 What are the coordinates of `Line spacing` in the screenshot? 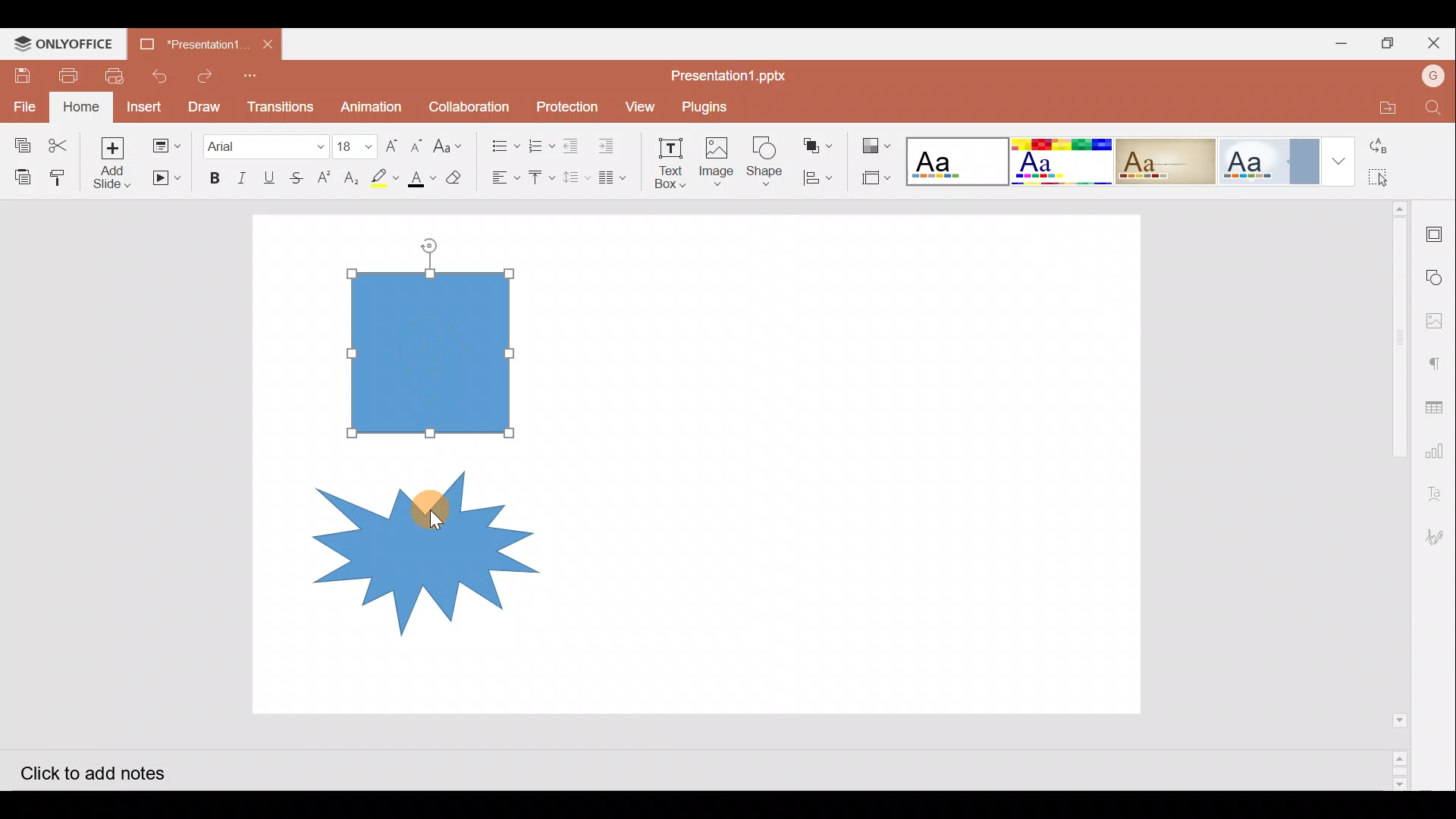 It's located at (576, 178).